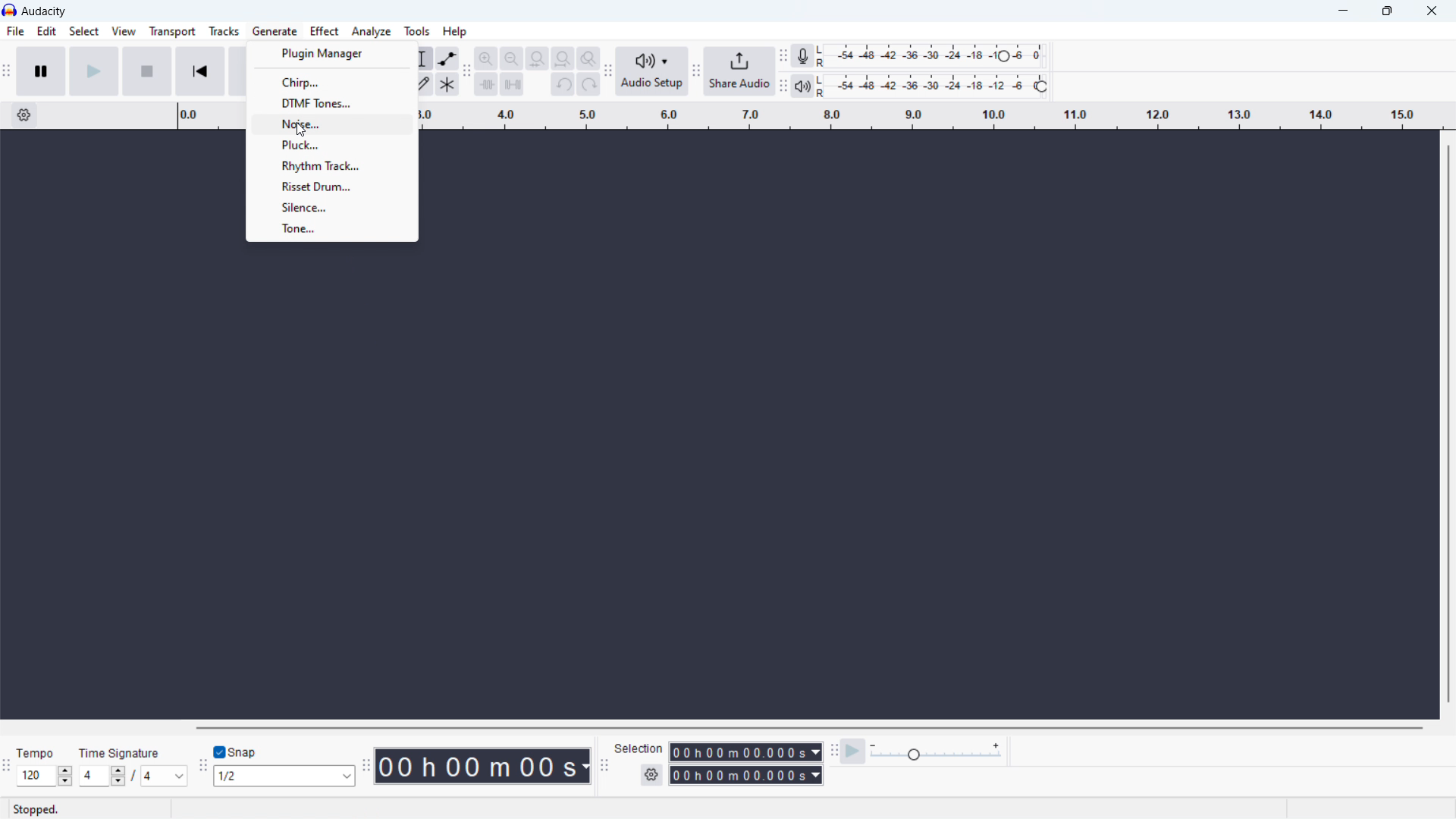  What do you see at coordinates (224, 31) in the screenshot?
I see `tracks` at bounding box center [224, 31].